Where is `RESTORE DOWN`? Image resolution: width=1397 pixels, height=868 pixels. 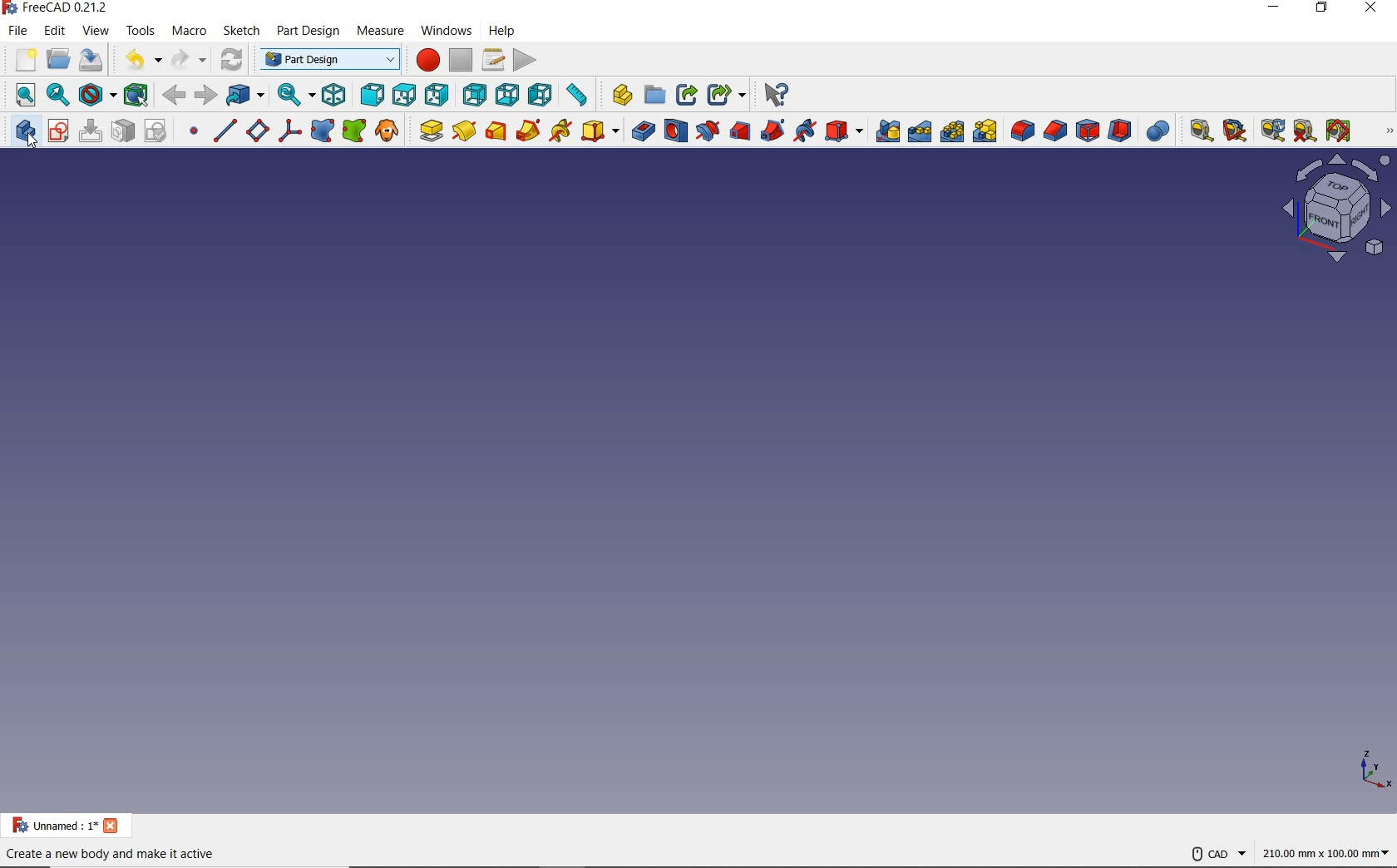 RESTORE DOWN is located at coordinates (1322, 11).